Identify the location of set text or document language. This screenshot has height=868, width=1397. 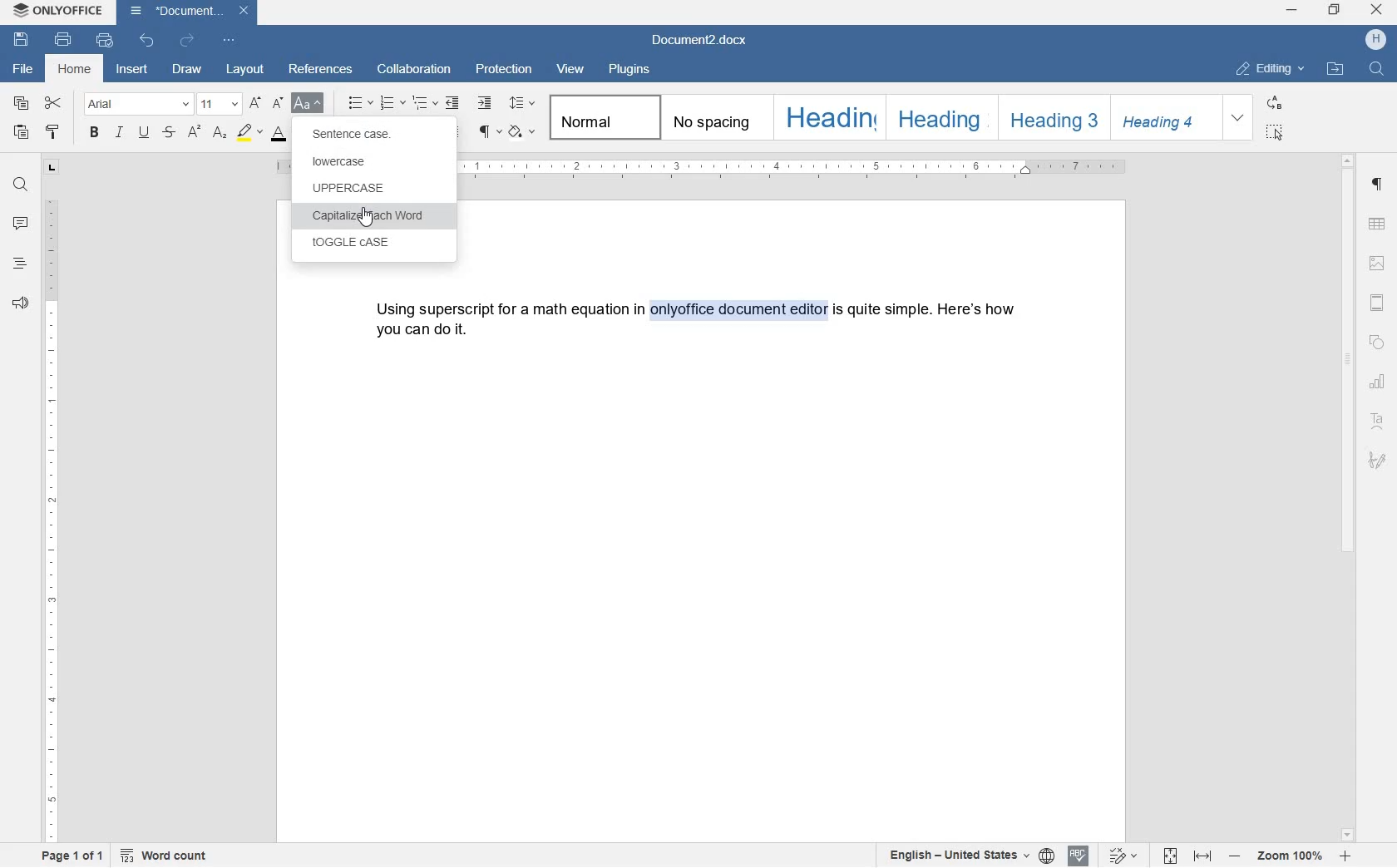
(971, 856).